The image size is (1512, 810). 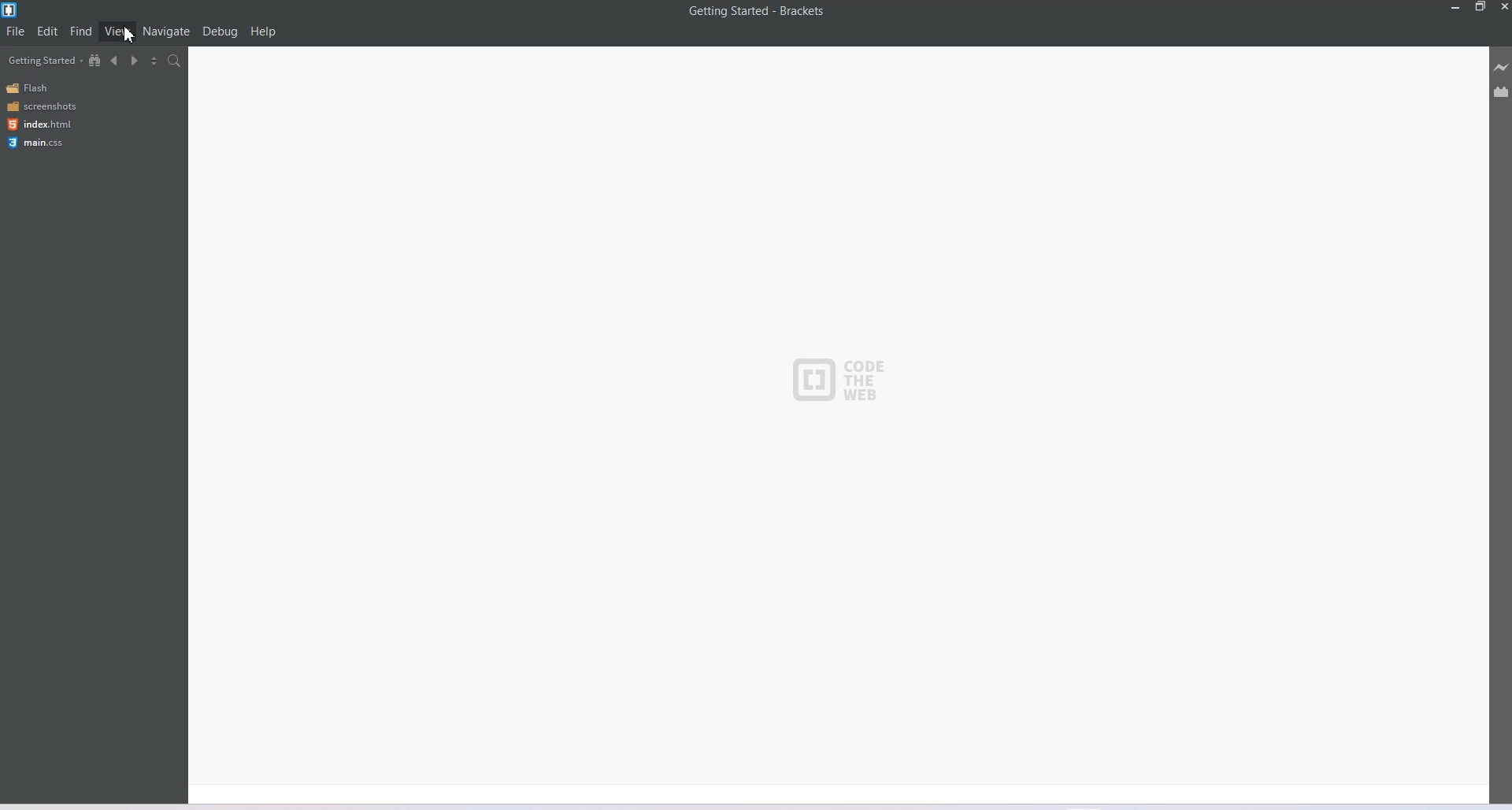 What do you see at coordinates (154, 60) in the screenshot?
I see `Split the editor vertically and Horizontally` at bounding box center [154, 60].